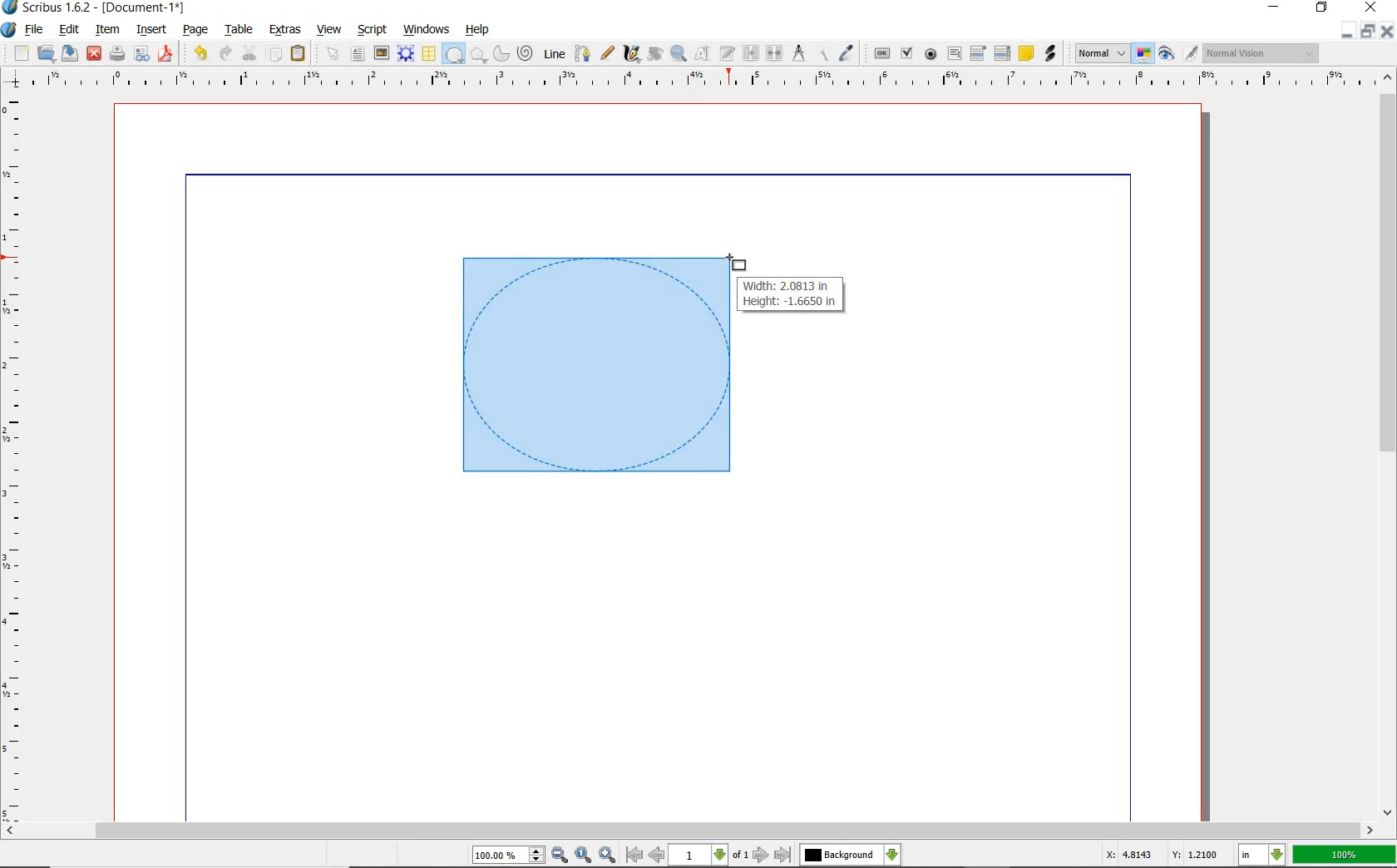 The width and height of the screenshot is (1397, 868). Describe the element at coordinates (555, 54) in the screenshot. I see `LINE` at that location.